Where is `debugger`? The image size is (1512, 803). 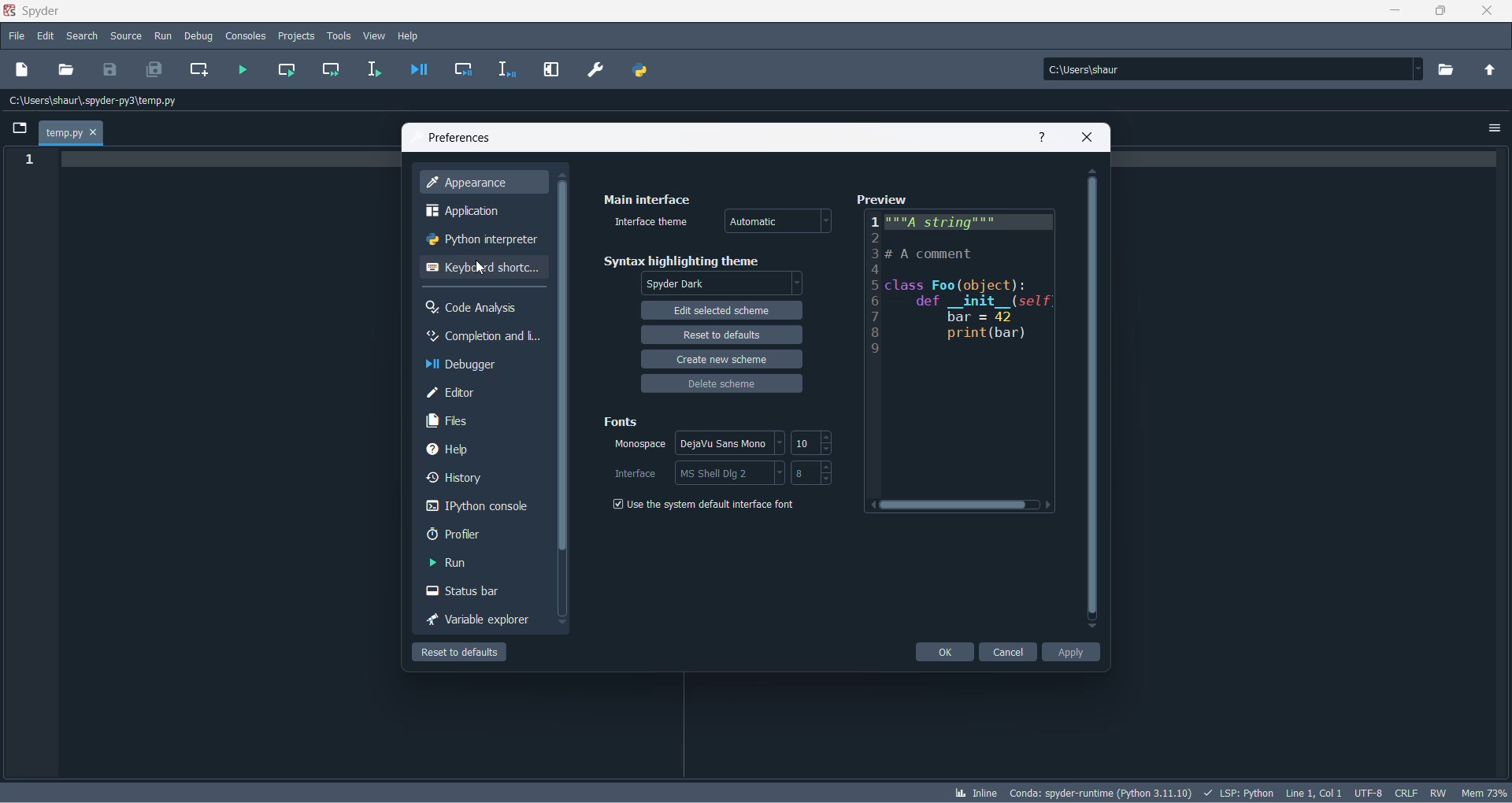
debugger is located at coordinates (472, 364).